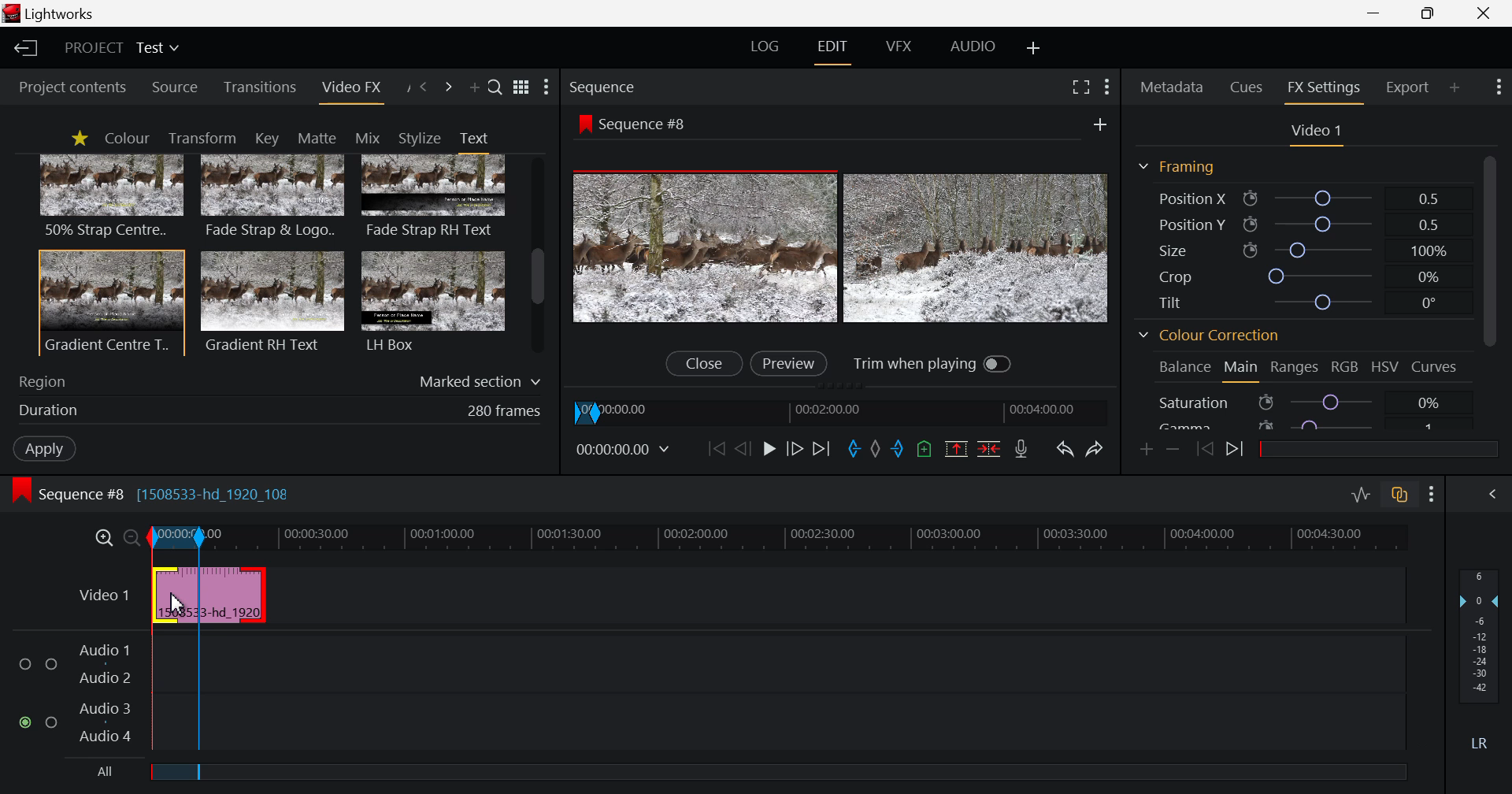 The height and width of the screenshot is (794, 1512). What do you see at coordinates (1242, 369) in the screenshot?
I see `Main Tab Open` at bounding box center [1242, 369].